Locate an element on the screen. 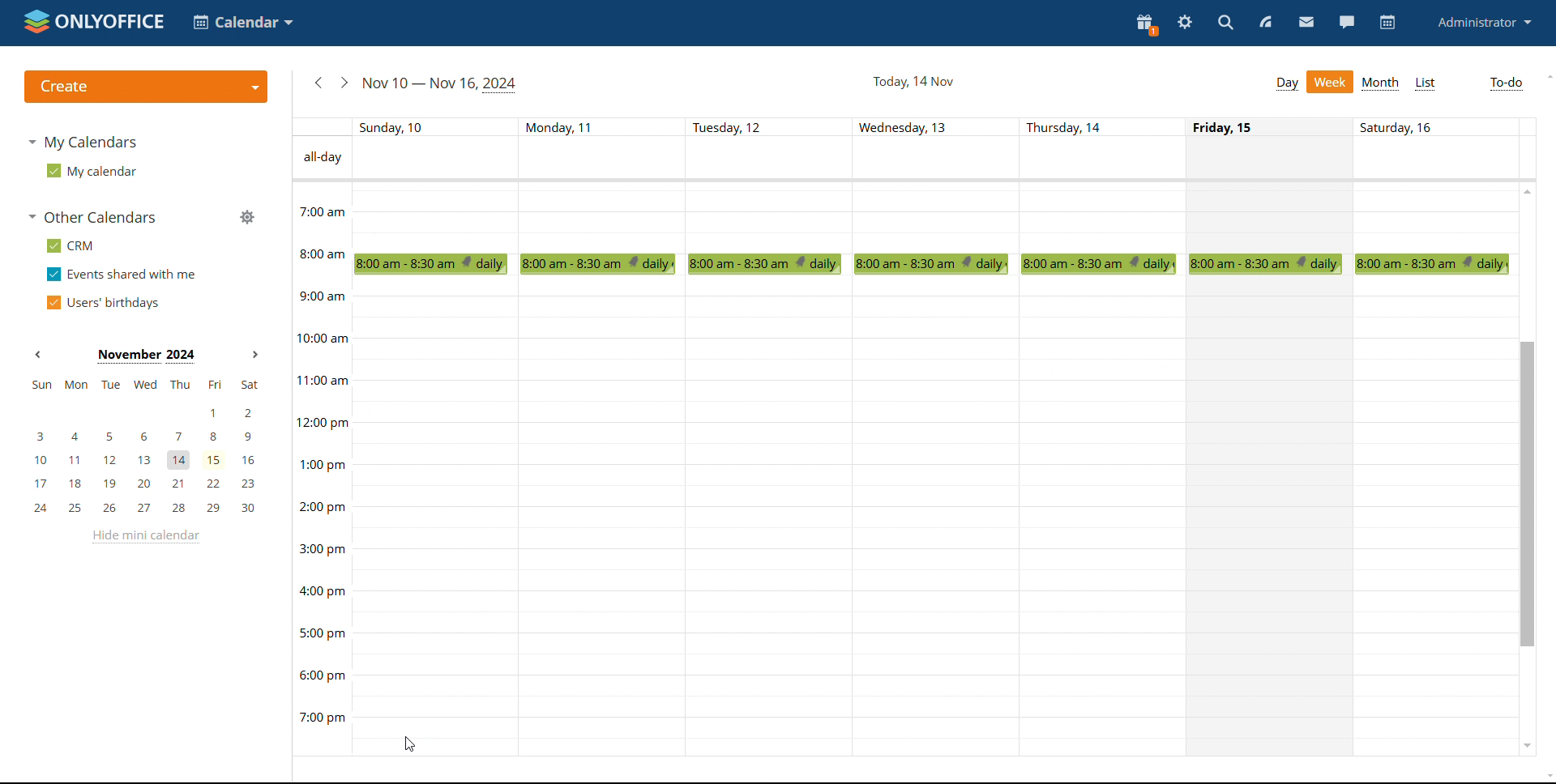  crm is located at coordinates (67, 245).